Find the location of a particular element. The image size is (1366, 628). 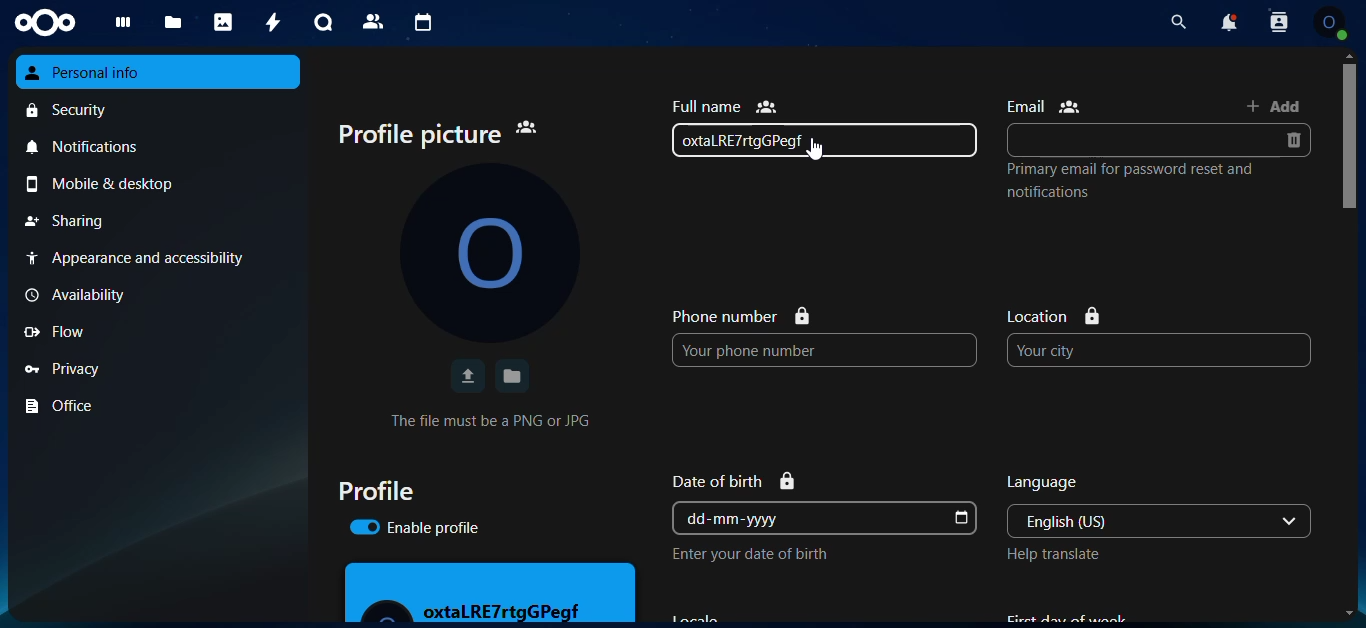

email input box is located at coordinates (1140, 140).